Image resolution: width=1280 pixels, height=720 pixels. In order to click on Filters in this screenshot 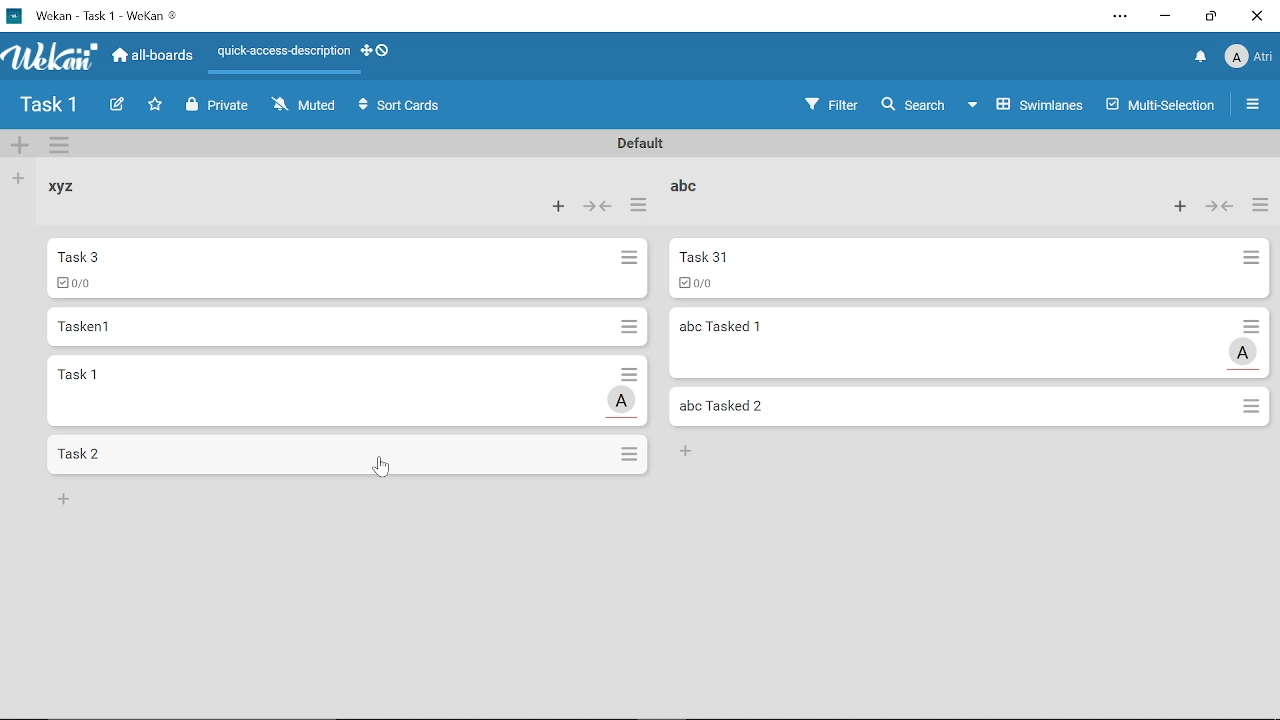, I will do `click(827, 105)`.